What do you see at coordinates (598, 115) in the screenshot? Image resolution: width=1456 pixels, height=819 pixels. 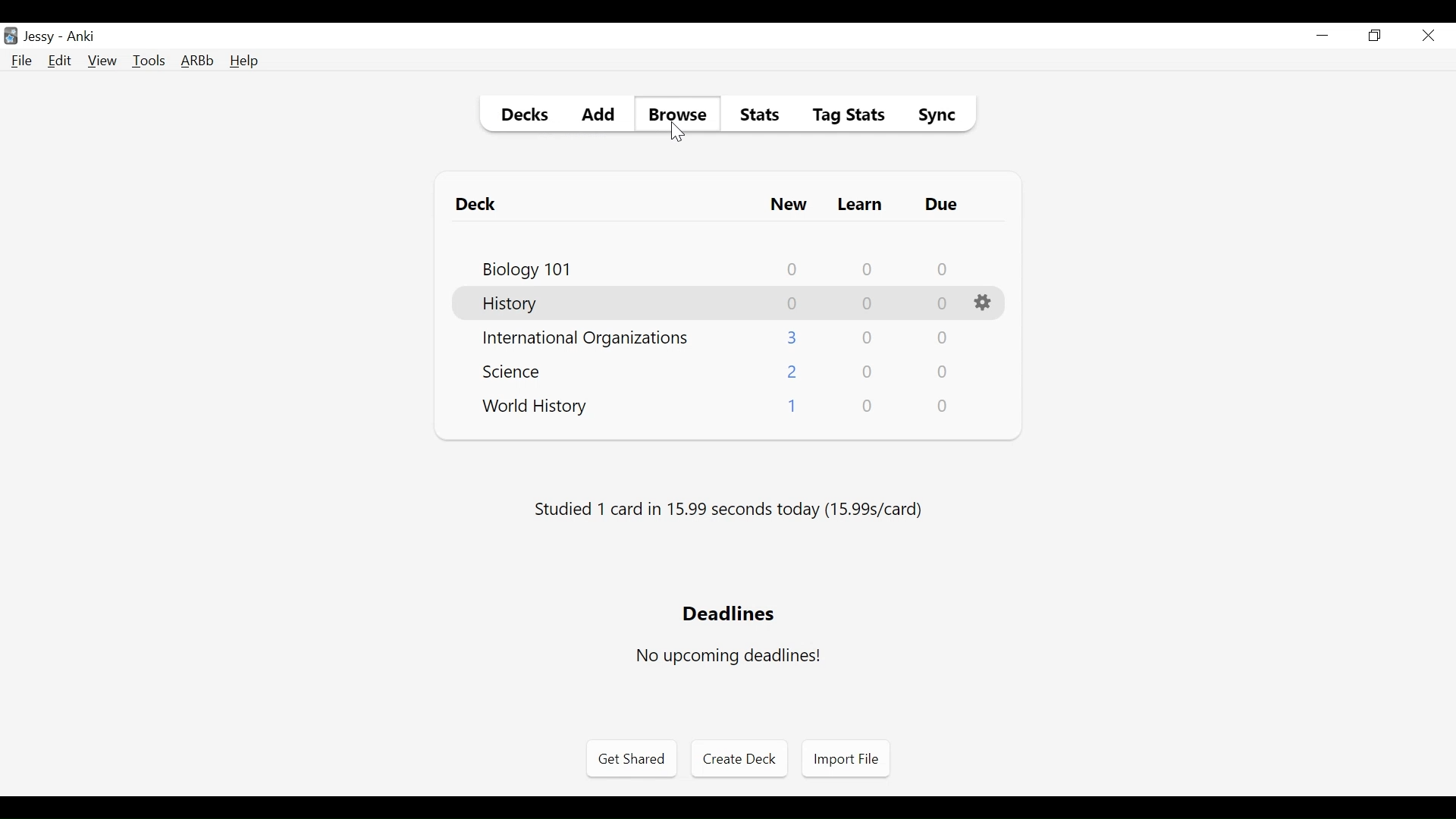 I see `Add` at bounding box center [598, 115].